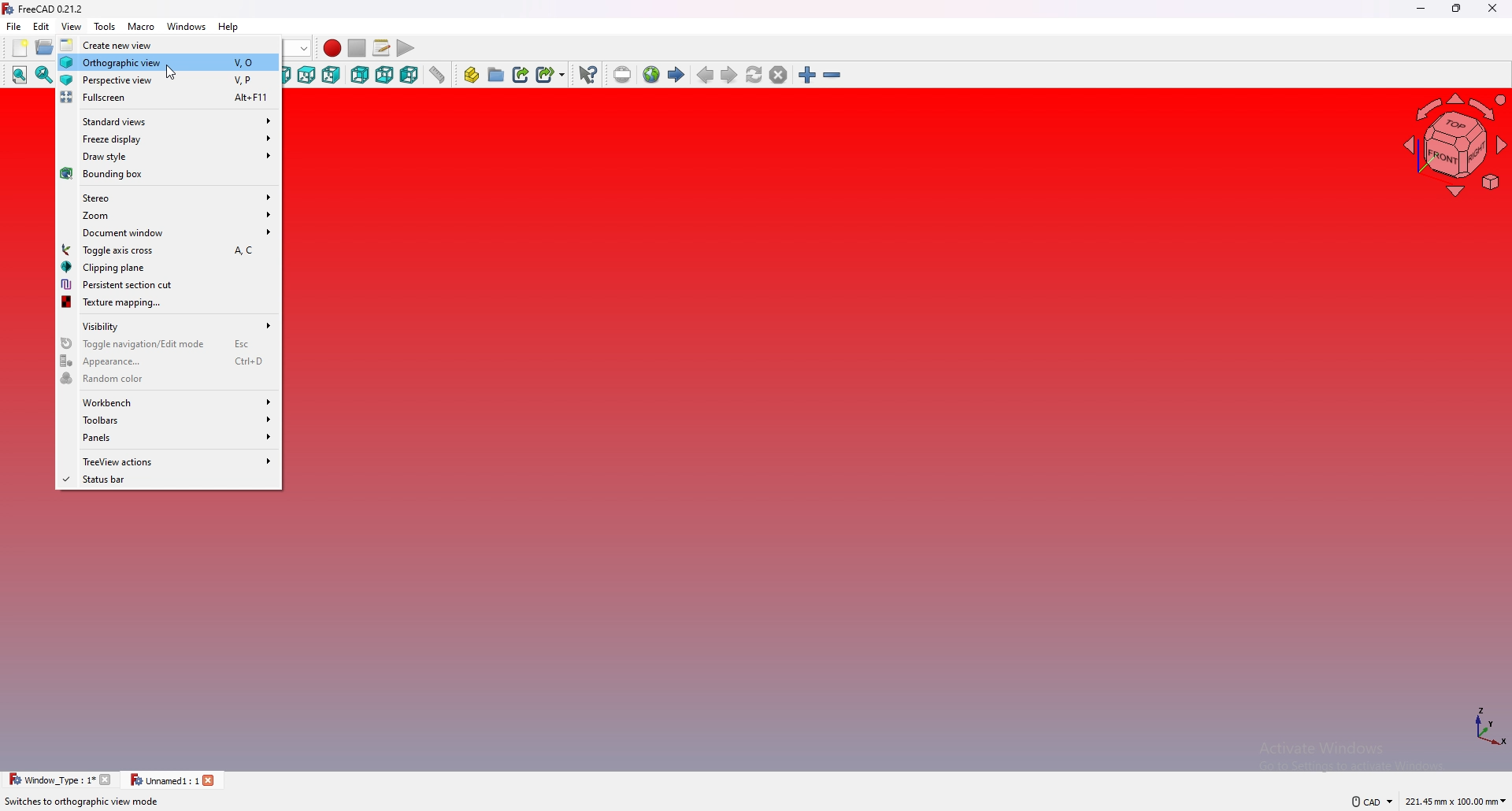  Describe the element at coordinates (46, 9) in the screenshot. I see `FreeCAD 0.21.2` at that location.